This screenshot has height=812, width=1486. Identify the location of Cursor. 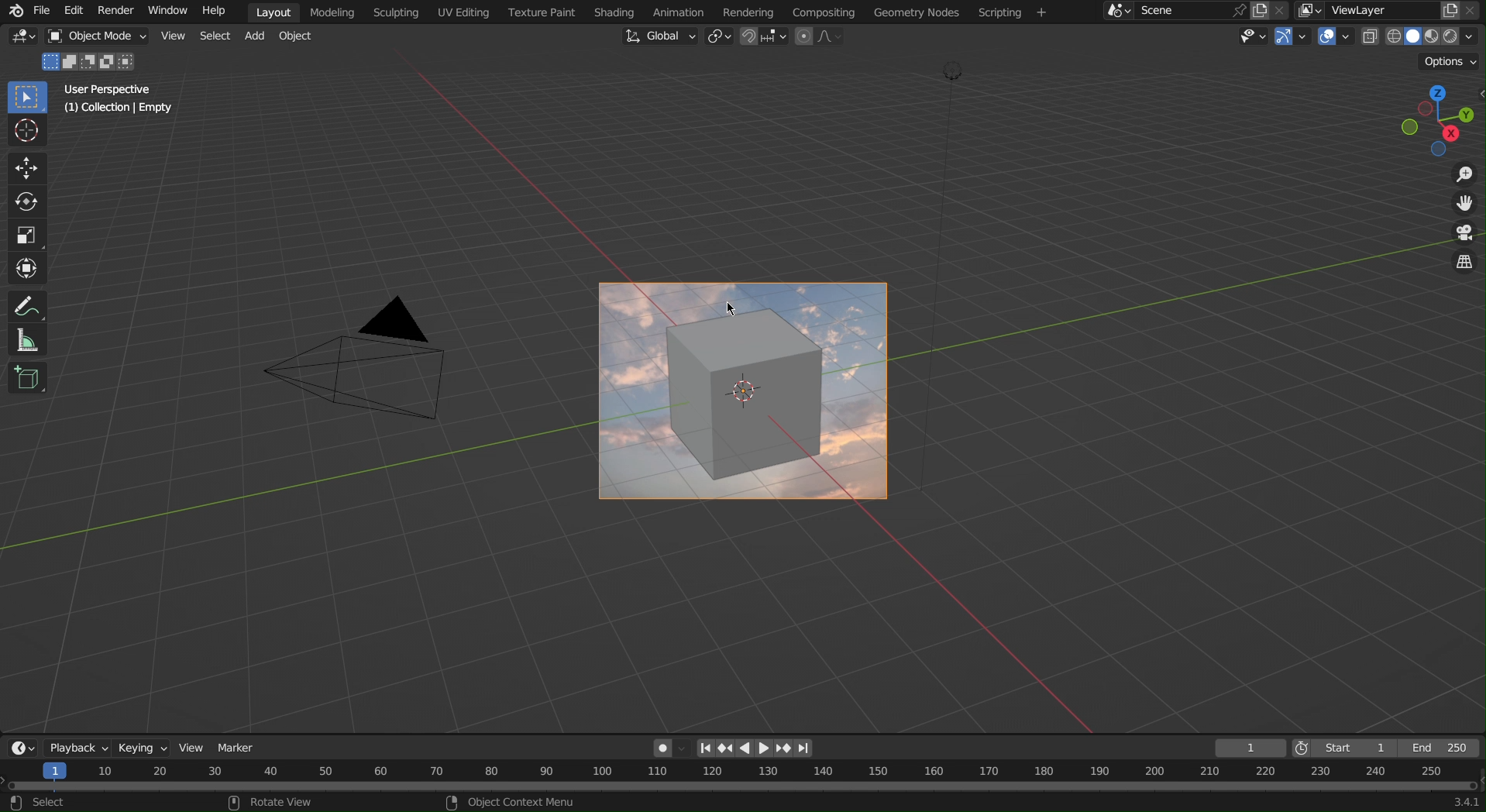
(25, 132).